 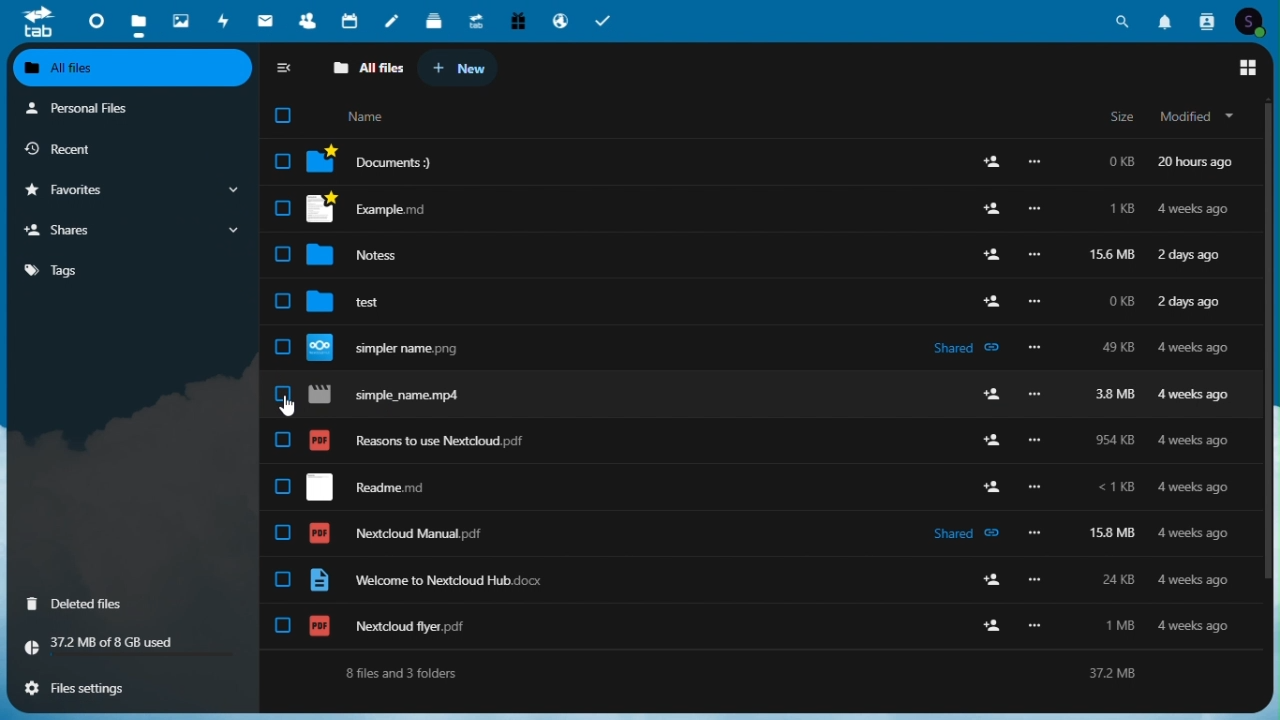 What do you see at coordinates (745, 626) in the screenshot?
I see `Notebook flyer` at bounding box center [745, 626].